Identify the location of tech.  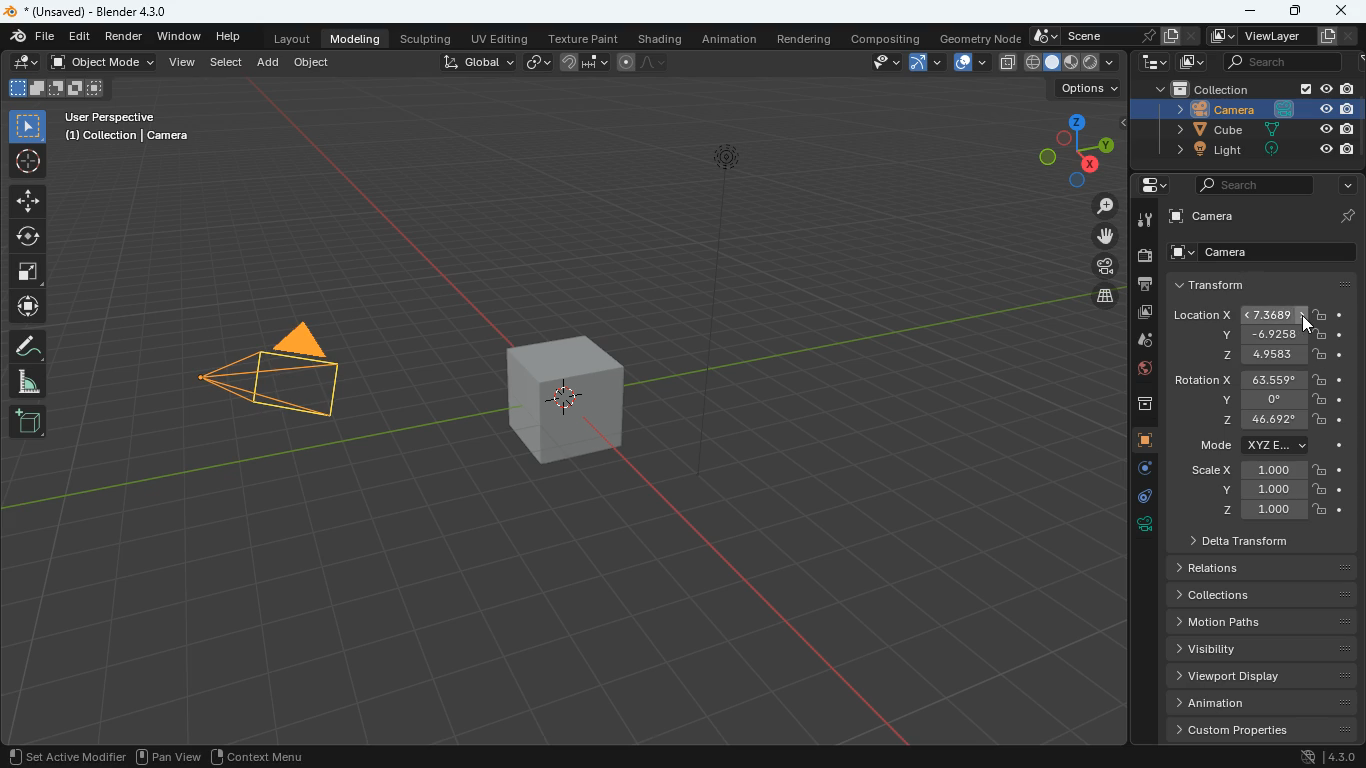
(1152, 63).